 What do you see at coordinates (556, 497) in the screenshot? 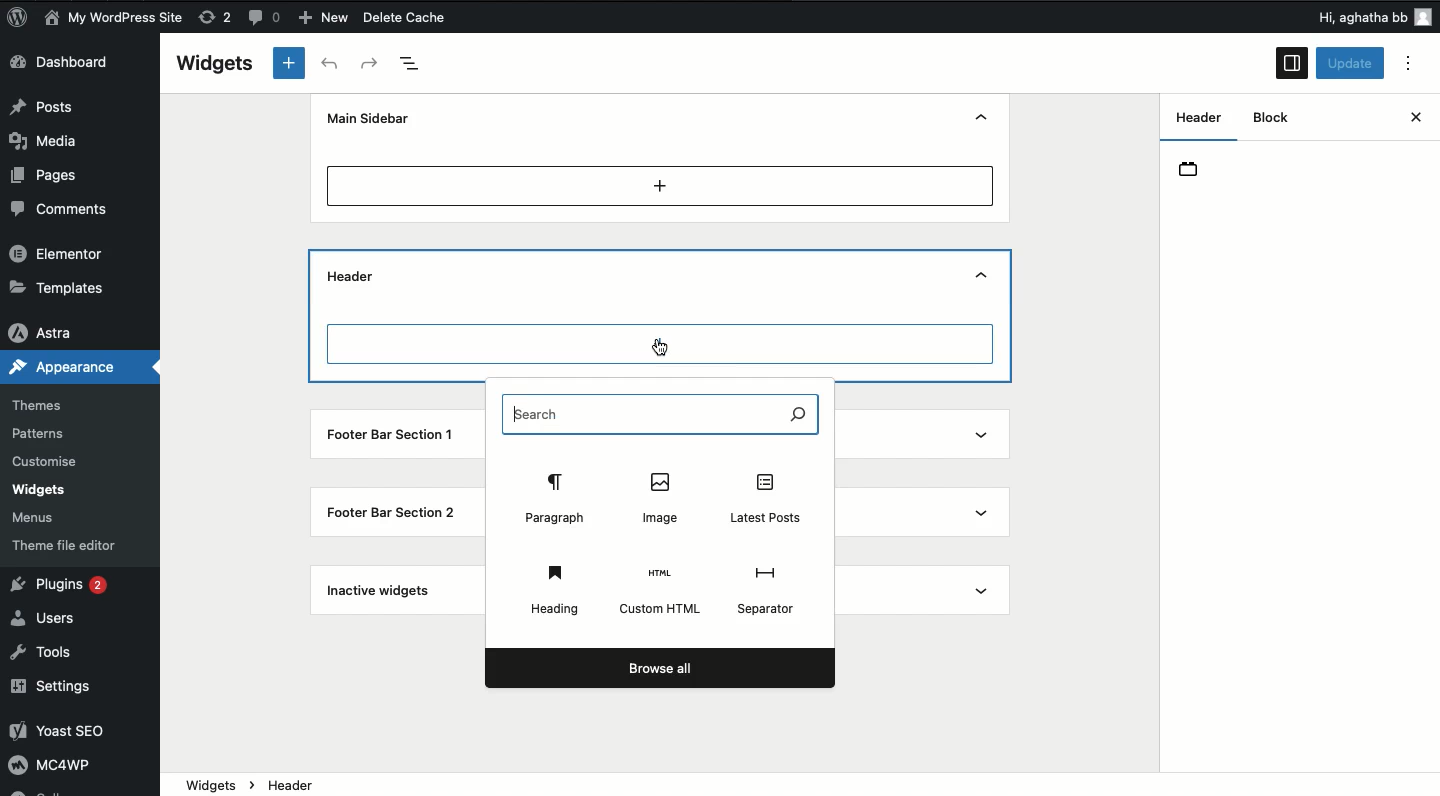
I see `Paragraph` at bounding box center [556, 497].